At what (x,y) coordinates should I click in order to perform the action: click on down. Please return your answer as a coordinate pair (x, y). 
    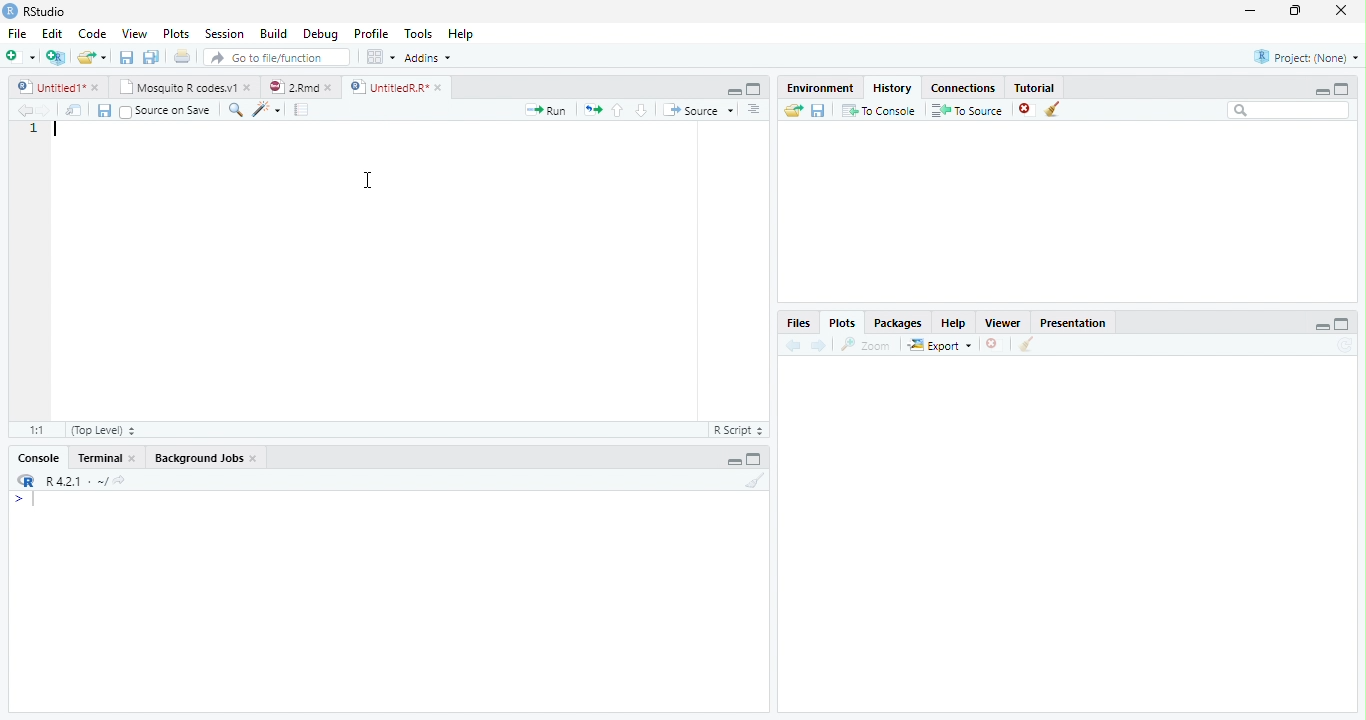
    Looking at the image, I should click on (641, 110).